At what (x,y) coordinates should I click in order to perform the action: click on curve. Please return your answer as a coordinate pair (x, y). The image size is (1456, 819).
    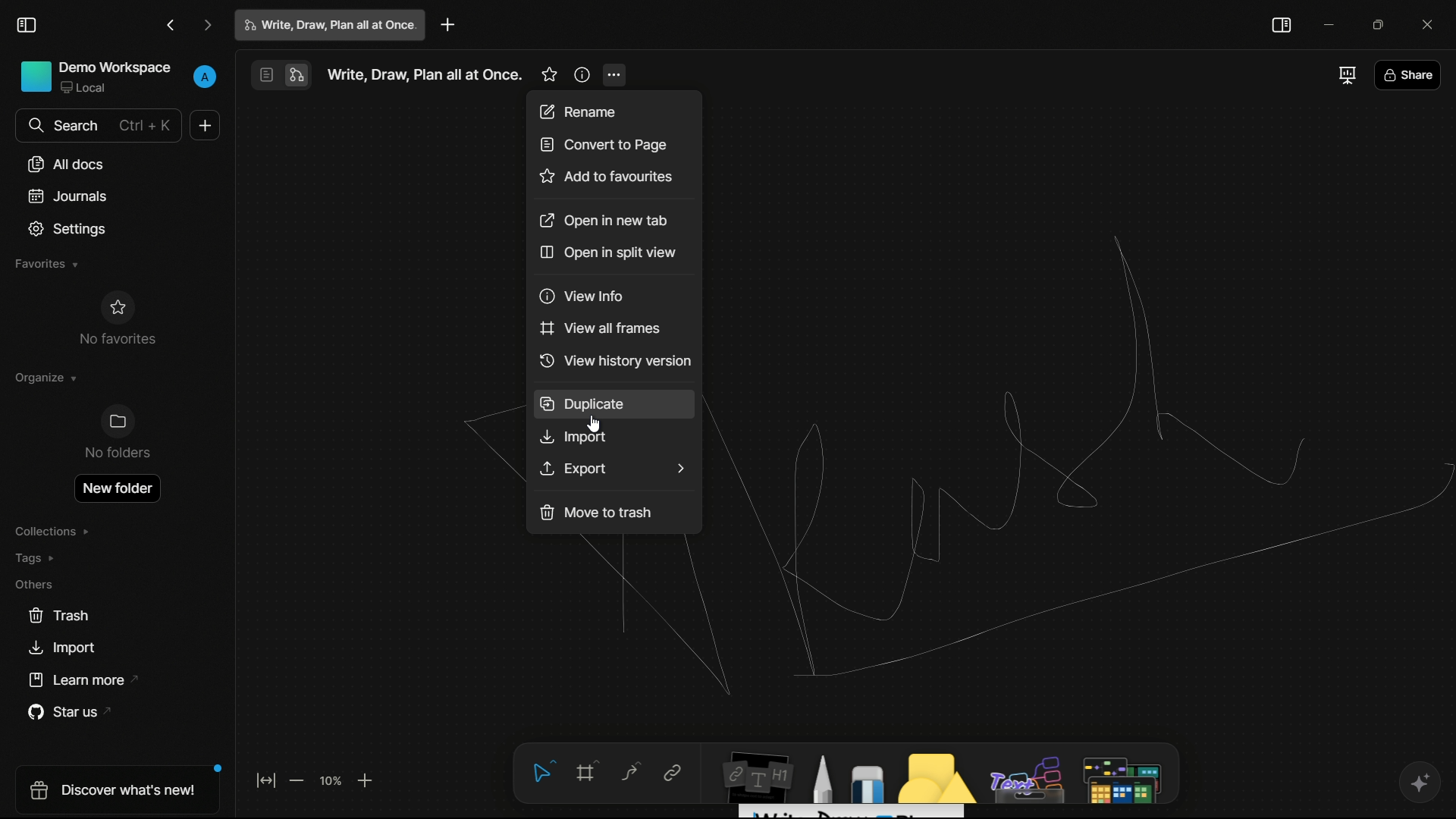
    Looking at the image, I should click on (630, 773).